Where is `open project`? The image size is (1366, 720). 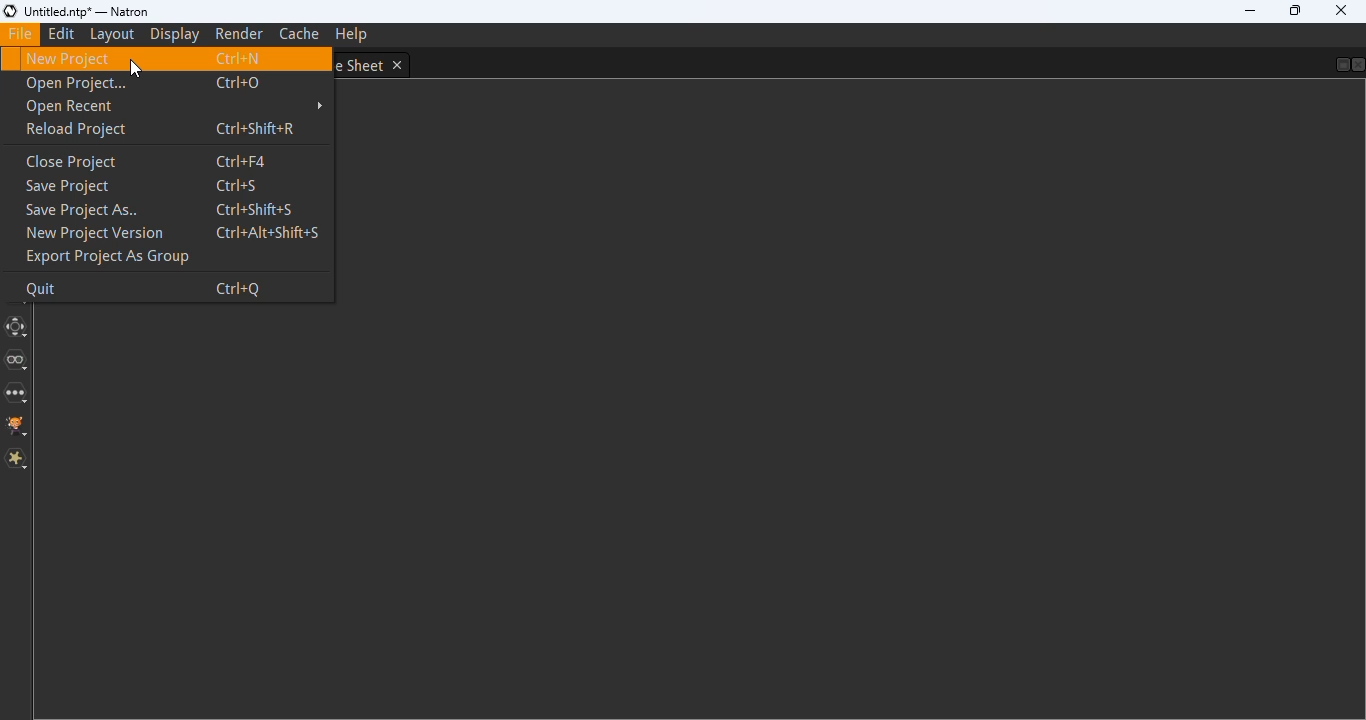
open project is located at coordinates (172, 83).